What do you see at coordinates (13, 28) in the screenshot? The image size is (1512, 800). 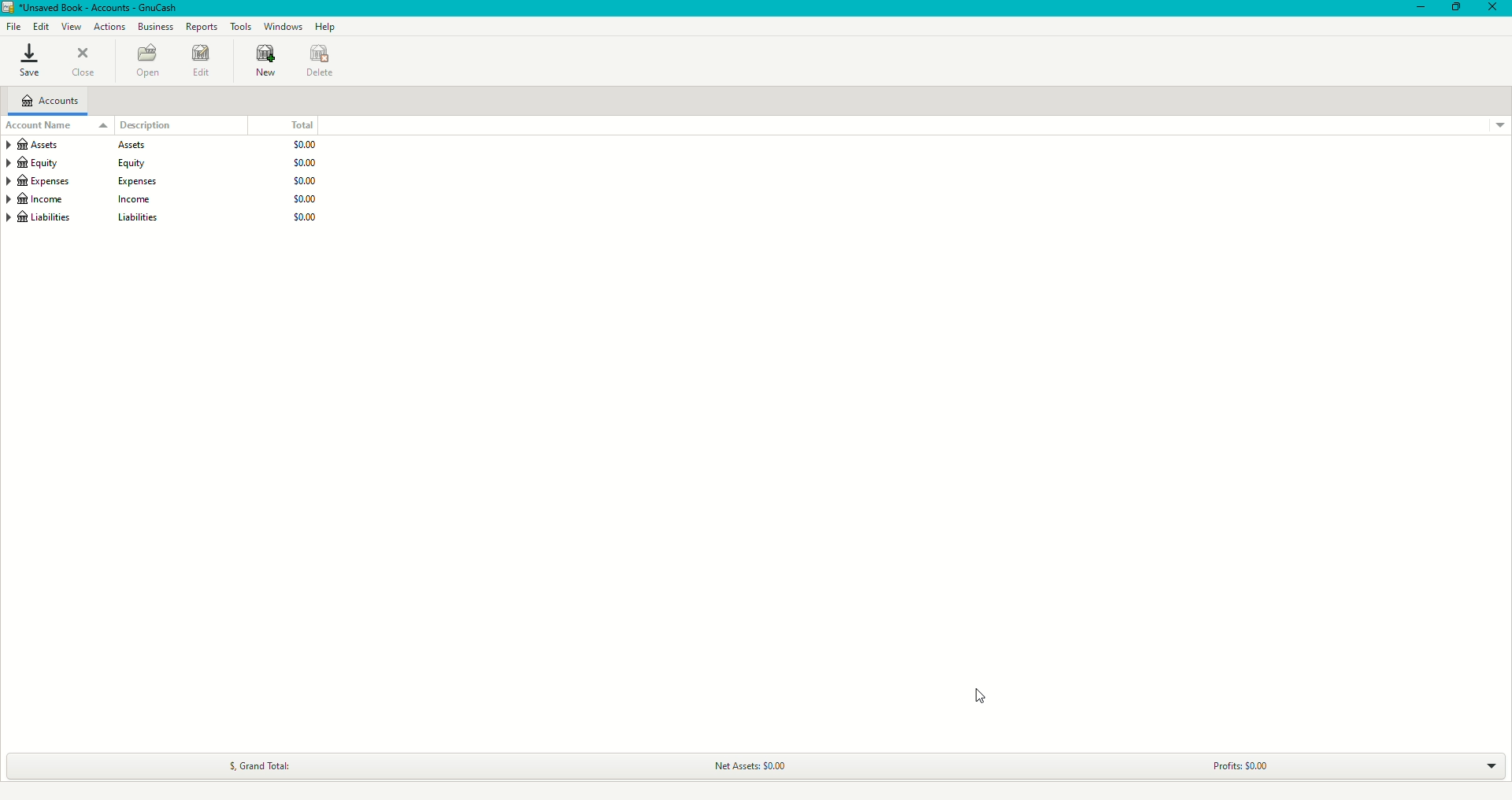 I see `File` at bounding box center [13, 28].